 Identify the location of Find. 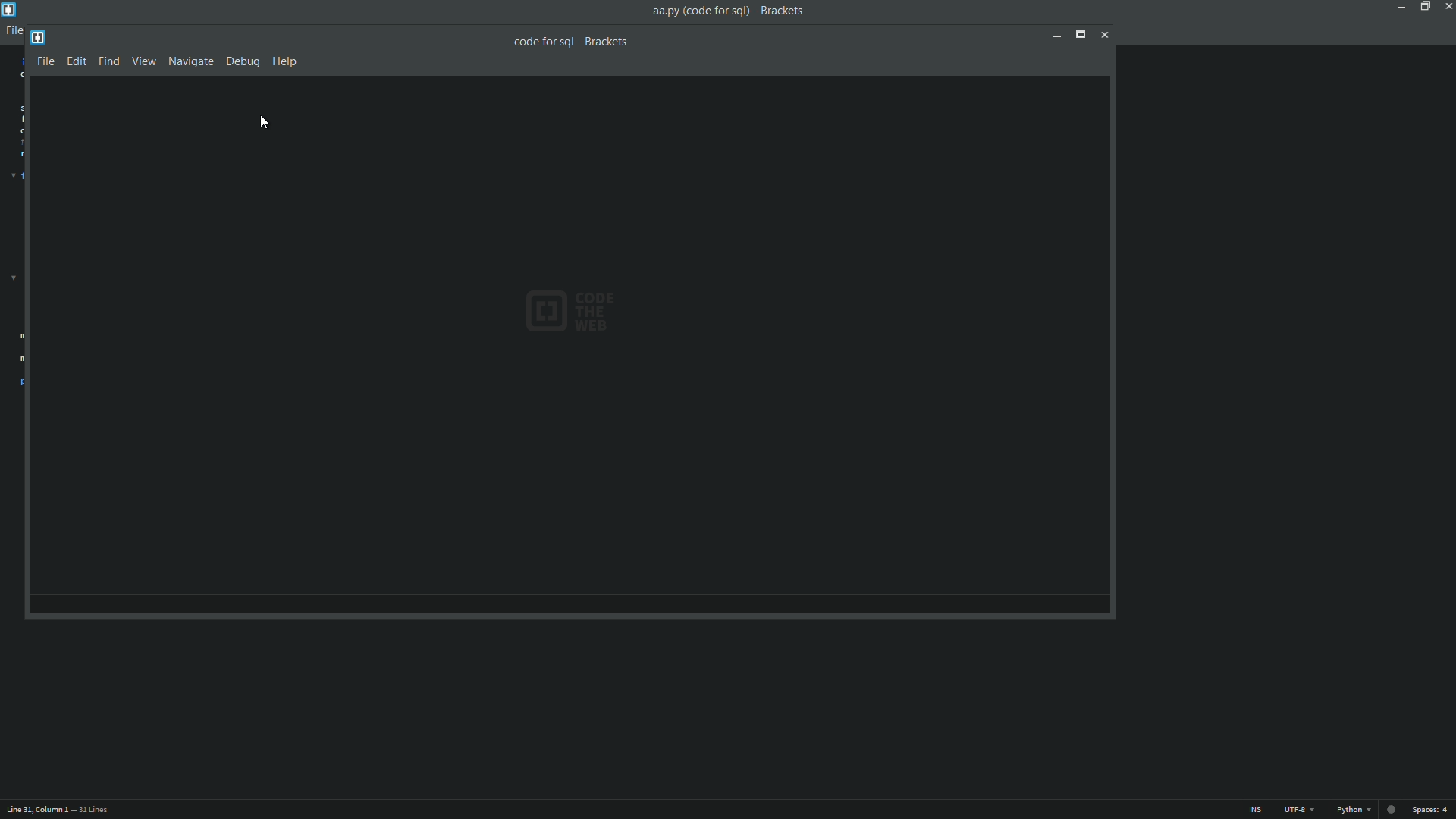
(109, 61).